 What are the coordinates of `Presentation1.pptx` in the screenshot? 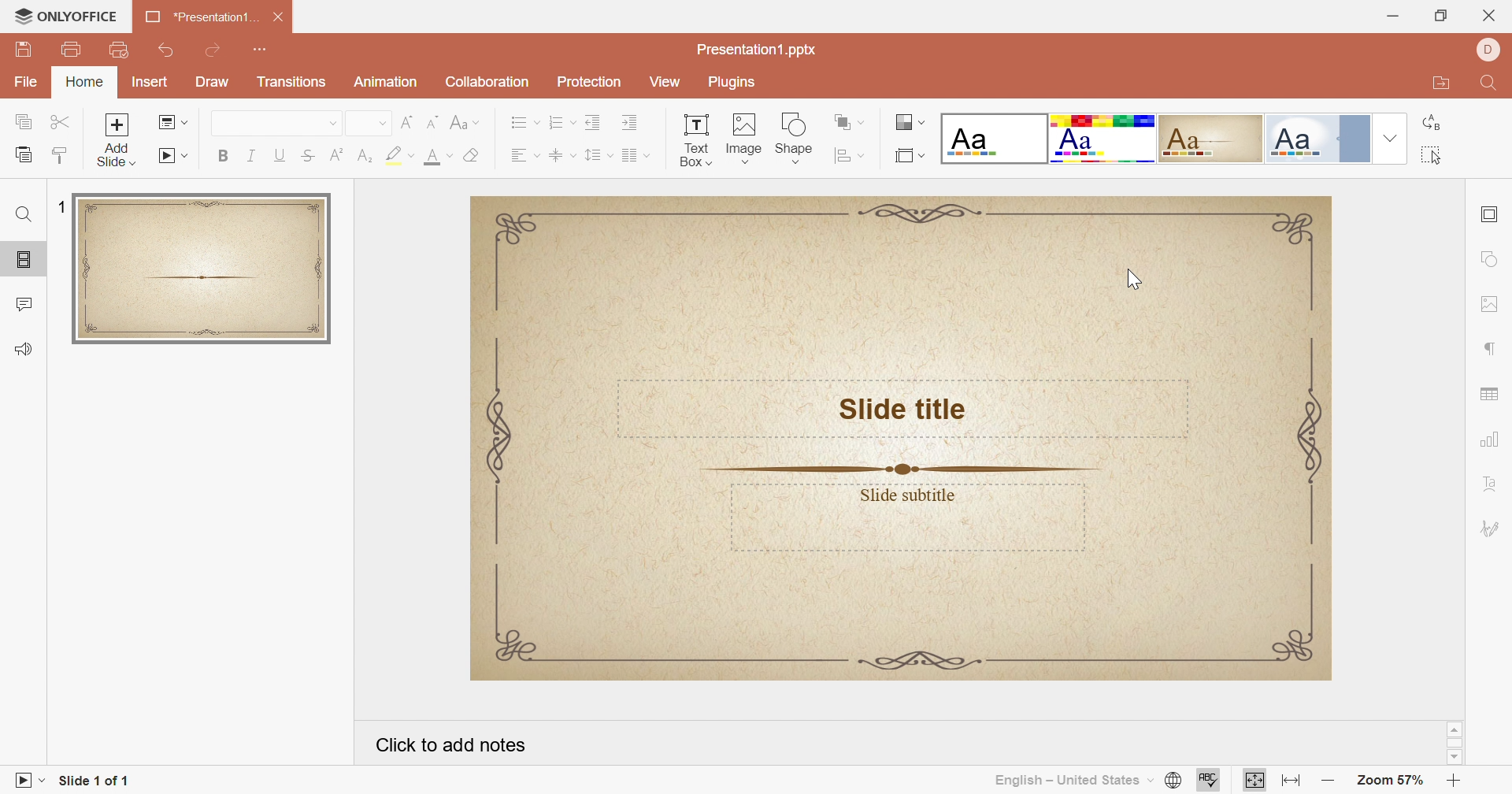 It's located at (760, 47).